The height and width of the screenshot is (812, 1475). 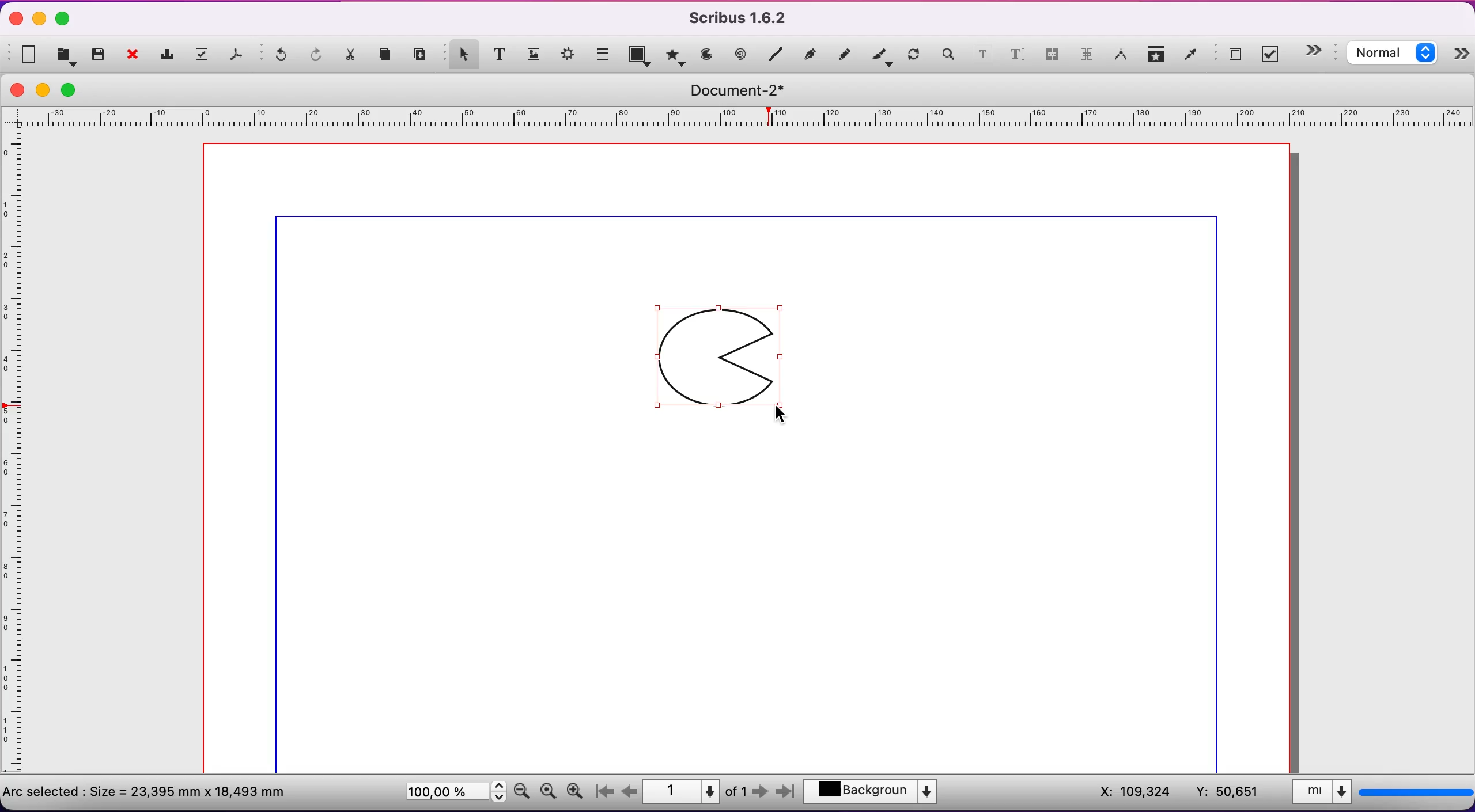 I want to click on rotate an item, so click(x=914, y=56).